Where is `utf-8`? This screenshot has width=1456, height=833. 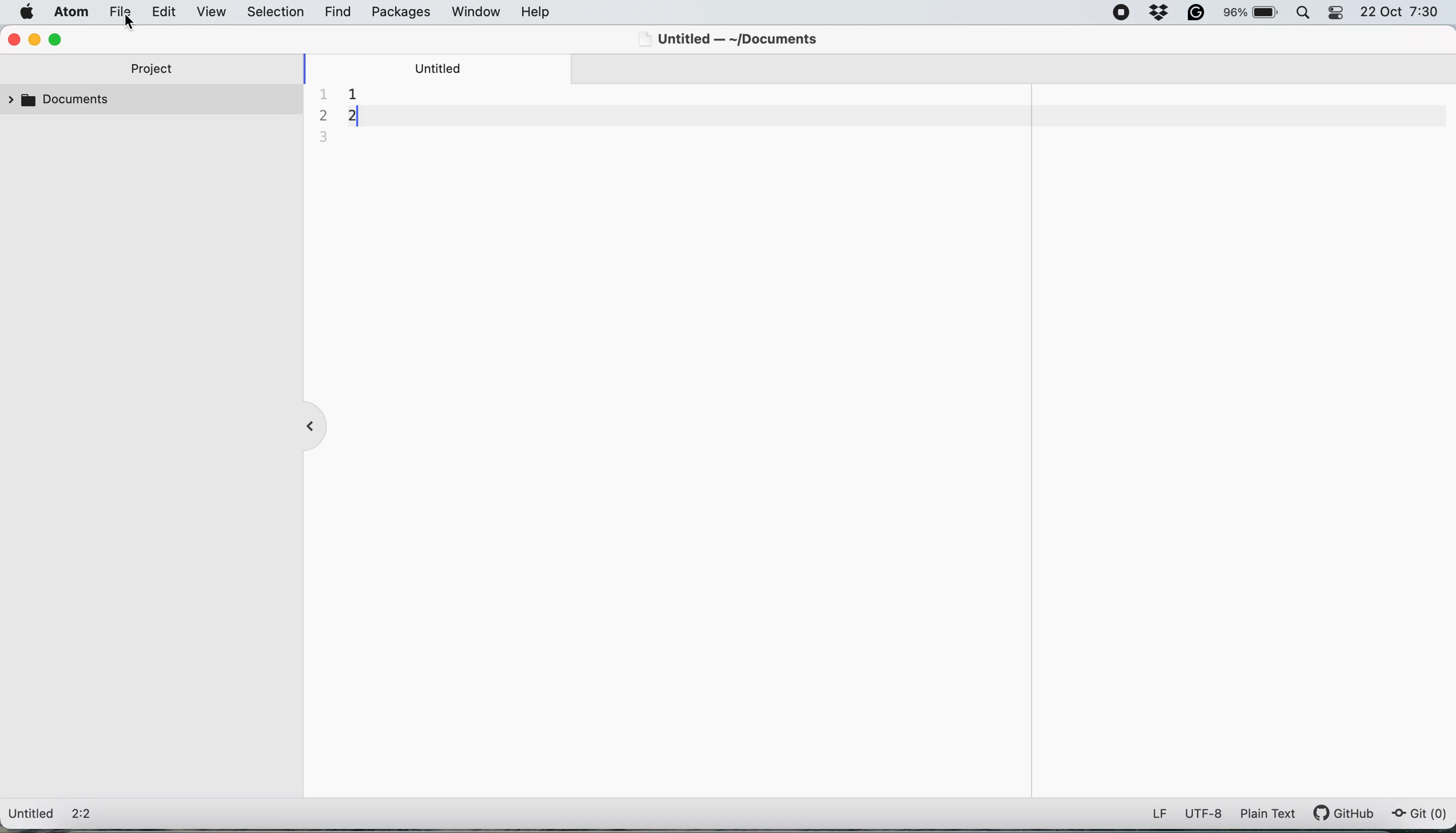
utf-8 is located at coordinates (1203, 814).